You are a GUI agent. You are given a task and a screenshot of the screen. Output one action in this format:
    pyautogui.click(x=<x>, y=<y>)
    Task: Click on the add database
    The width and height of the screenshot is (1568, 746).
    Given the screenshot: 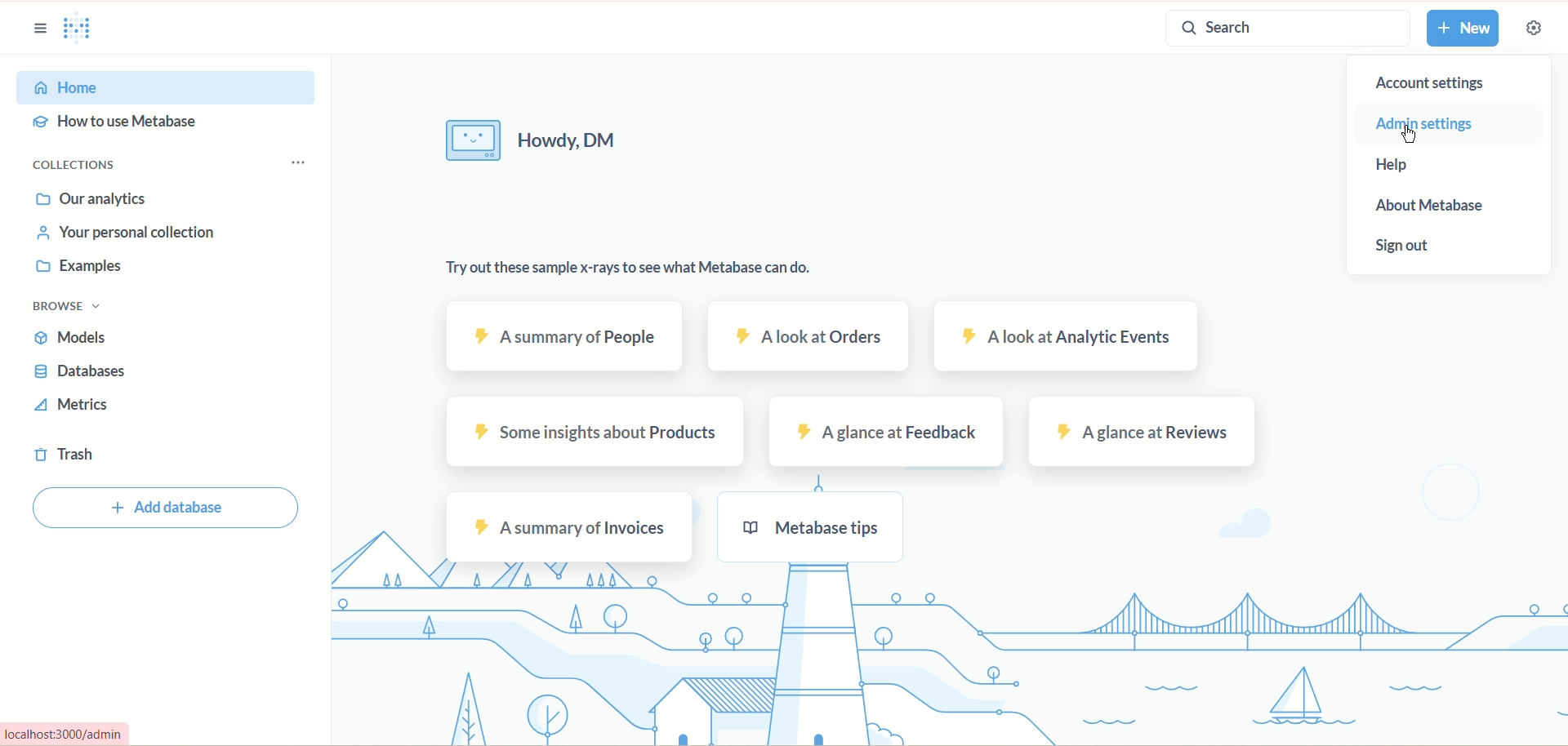 What is the action you would take?
    pyautogui.click(x=169, y=510)
    